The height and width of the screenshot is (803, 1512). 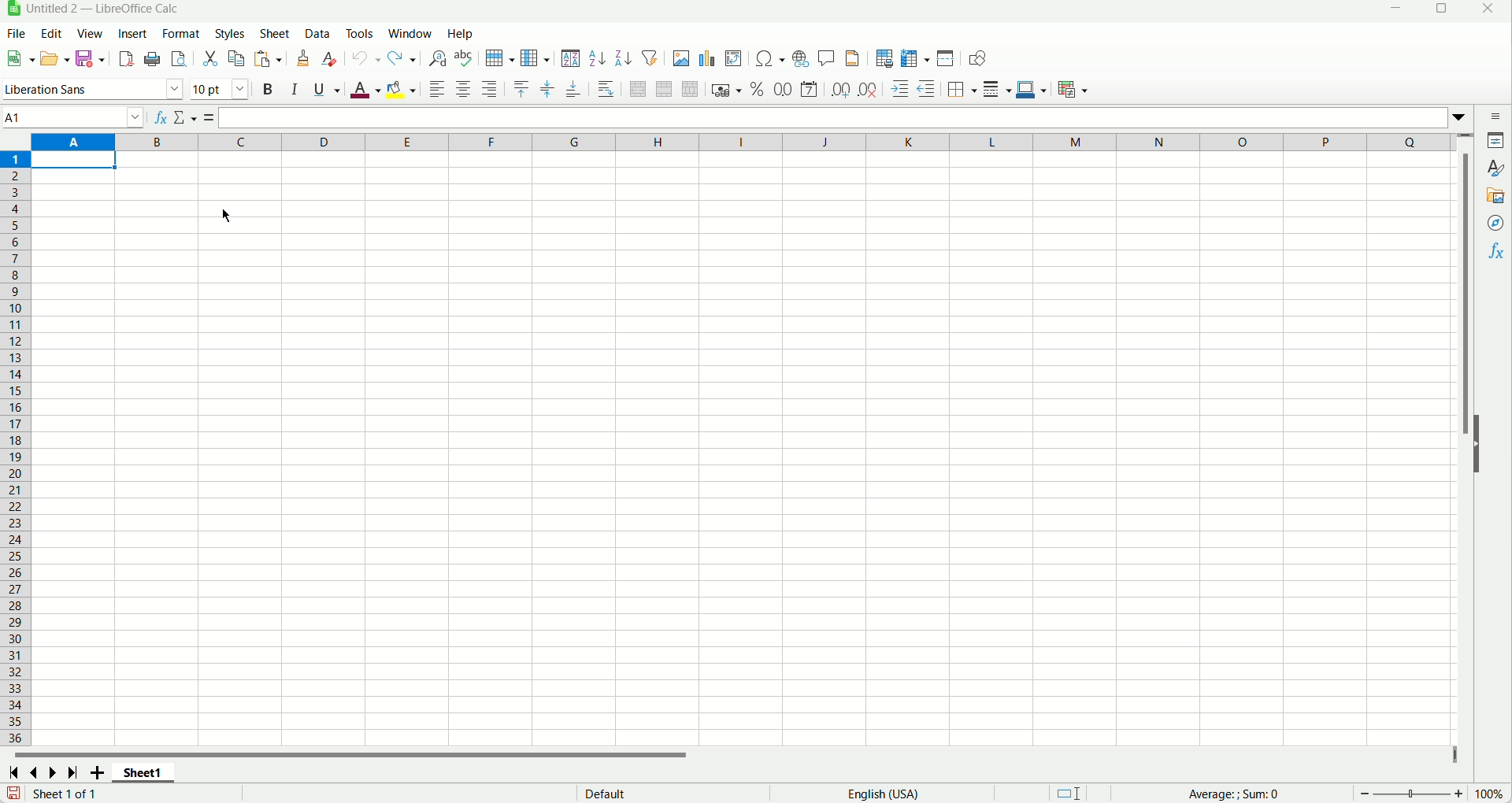 I want to click on File, so click(x=15, y=33).